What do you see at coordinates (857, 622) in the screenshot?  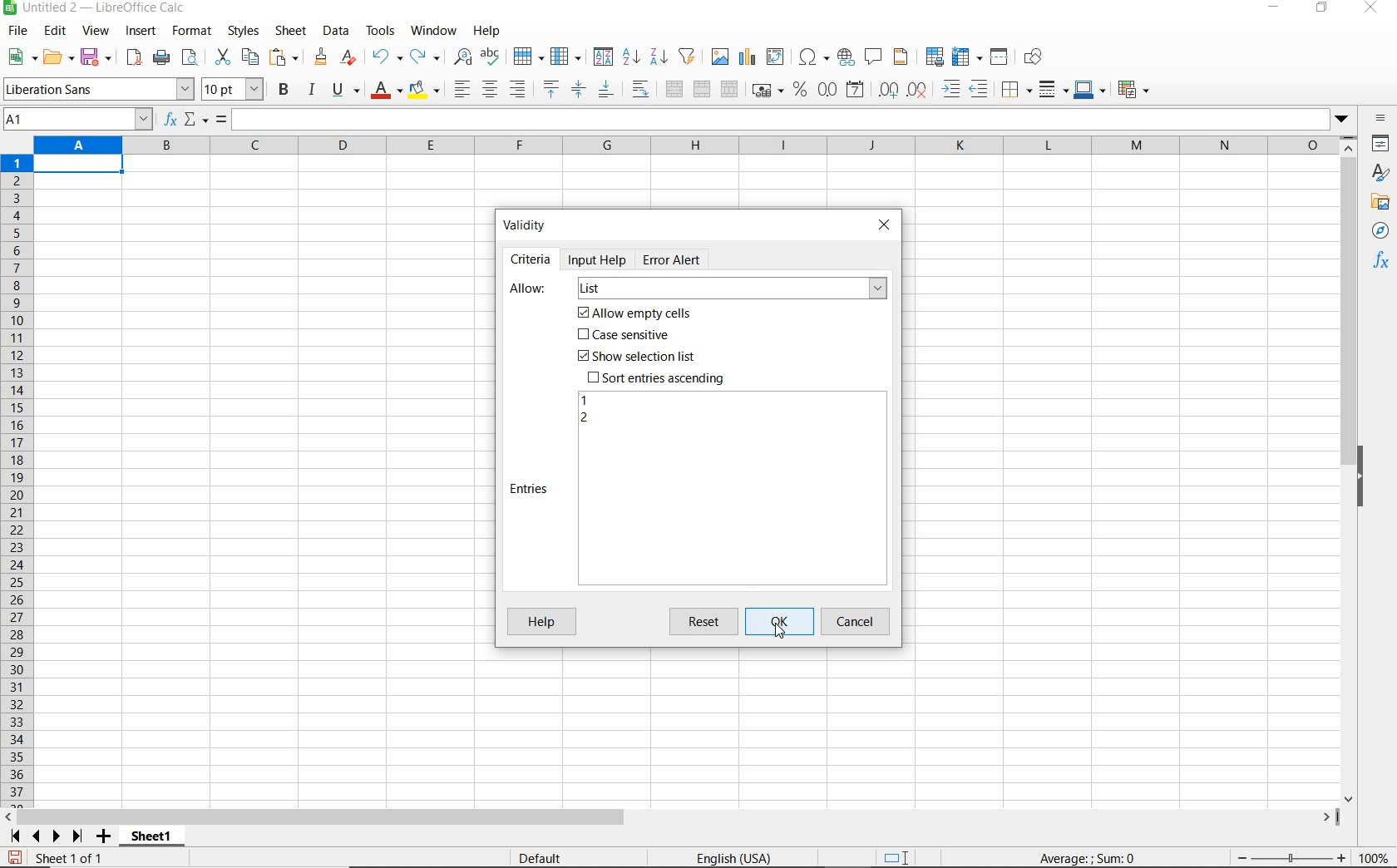 I see `cancel` at bounding box center [857, 622].